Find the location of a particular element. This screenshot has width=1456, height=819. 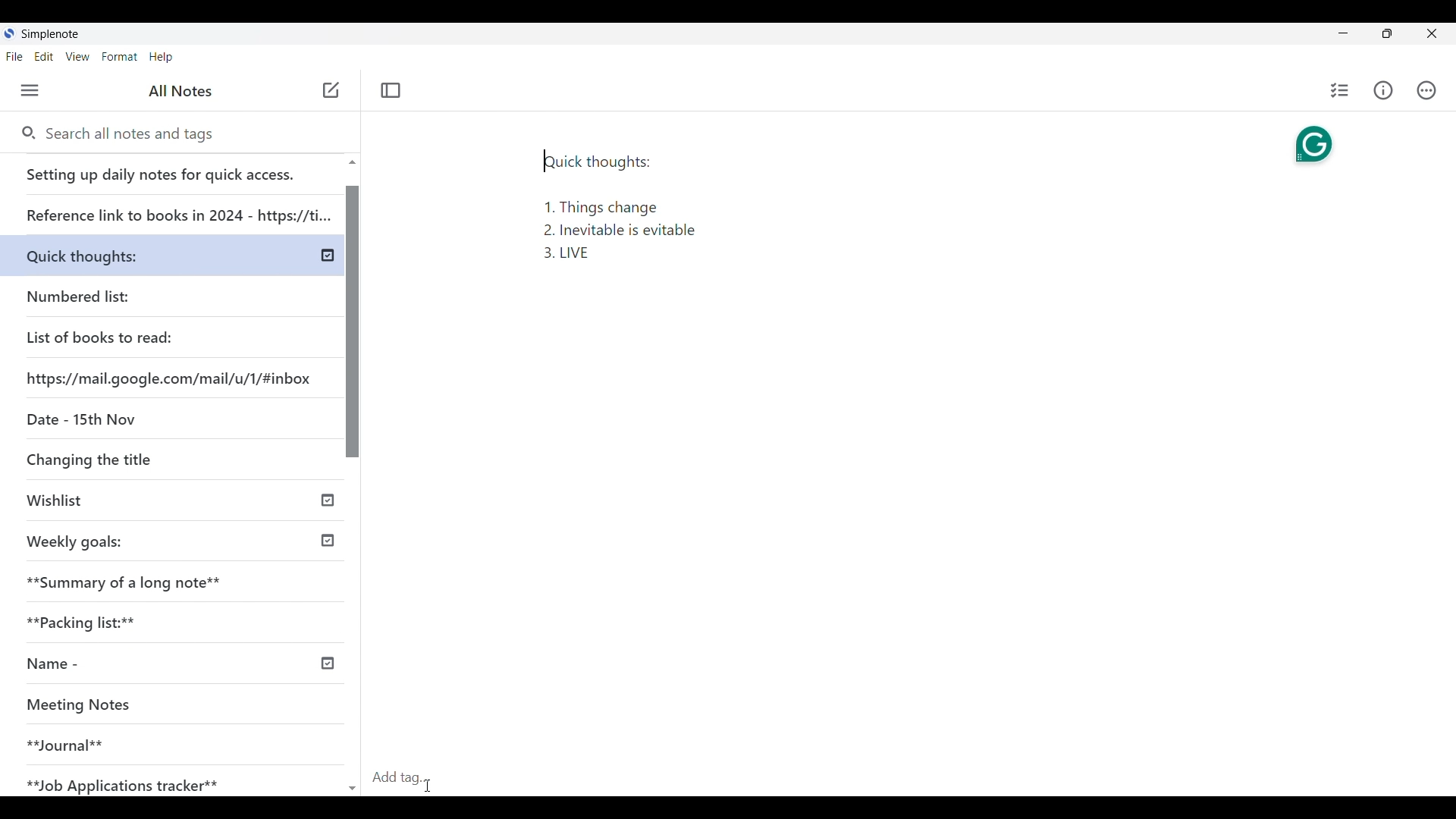

Quick slide to top is located at coordinates (353, 789).